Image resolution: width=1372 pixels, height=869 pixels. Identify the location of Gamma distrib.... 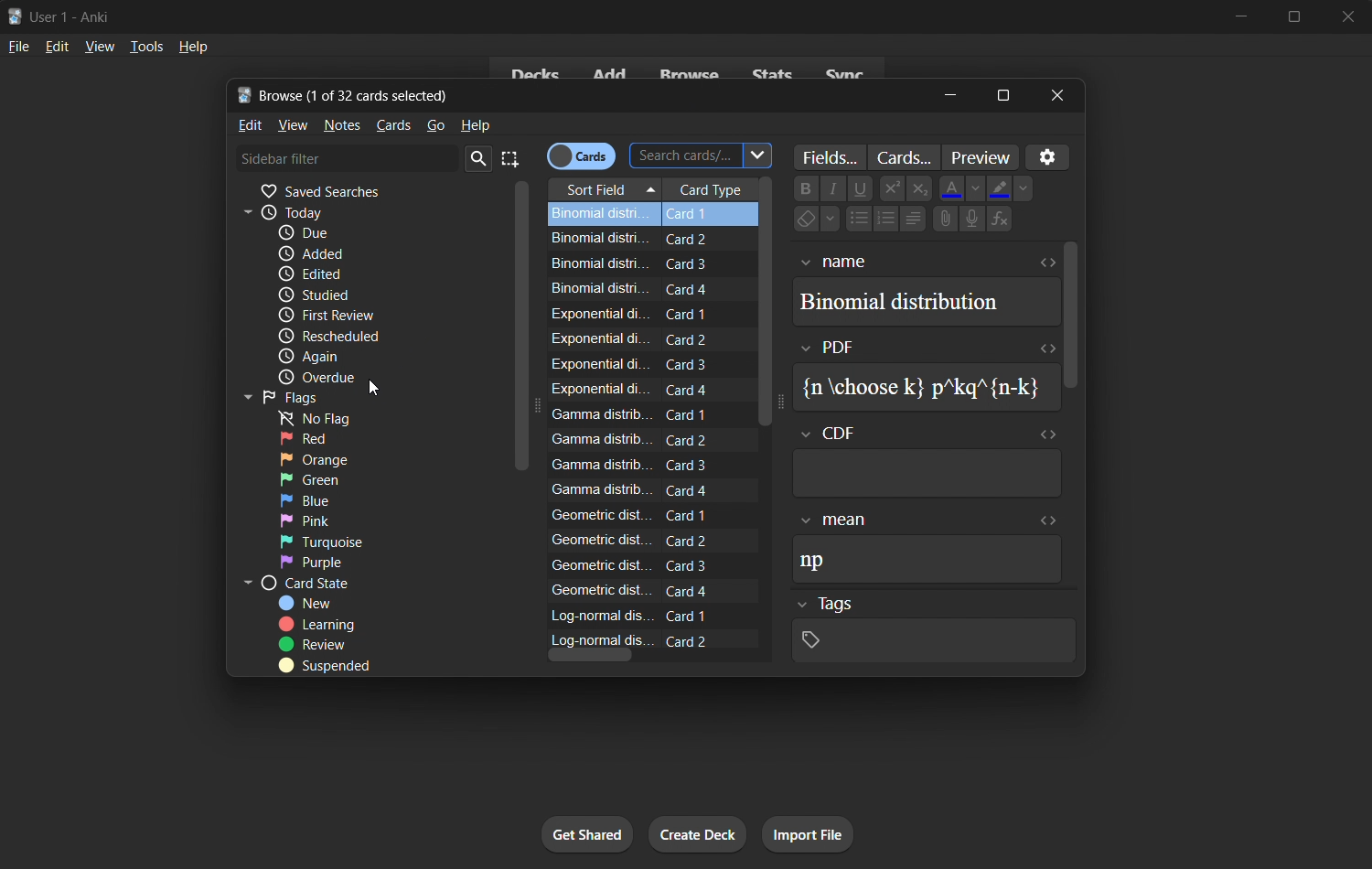
(599, 413).